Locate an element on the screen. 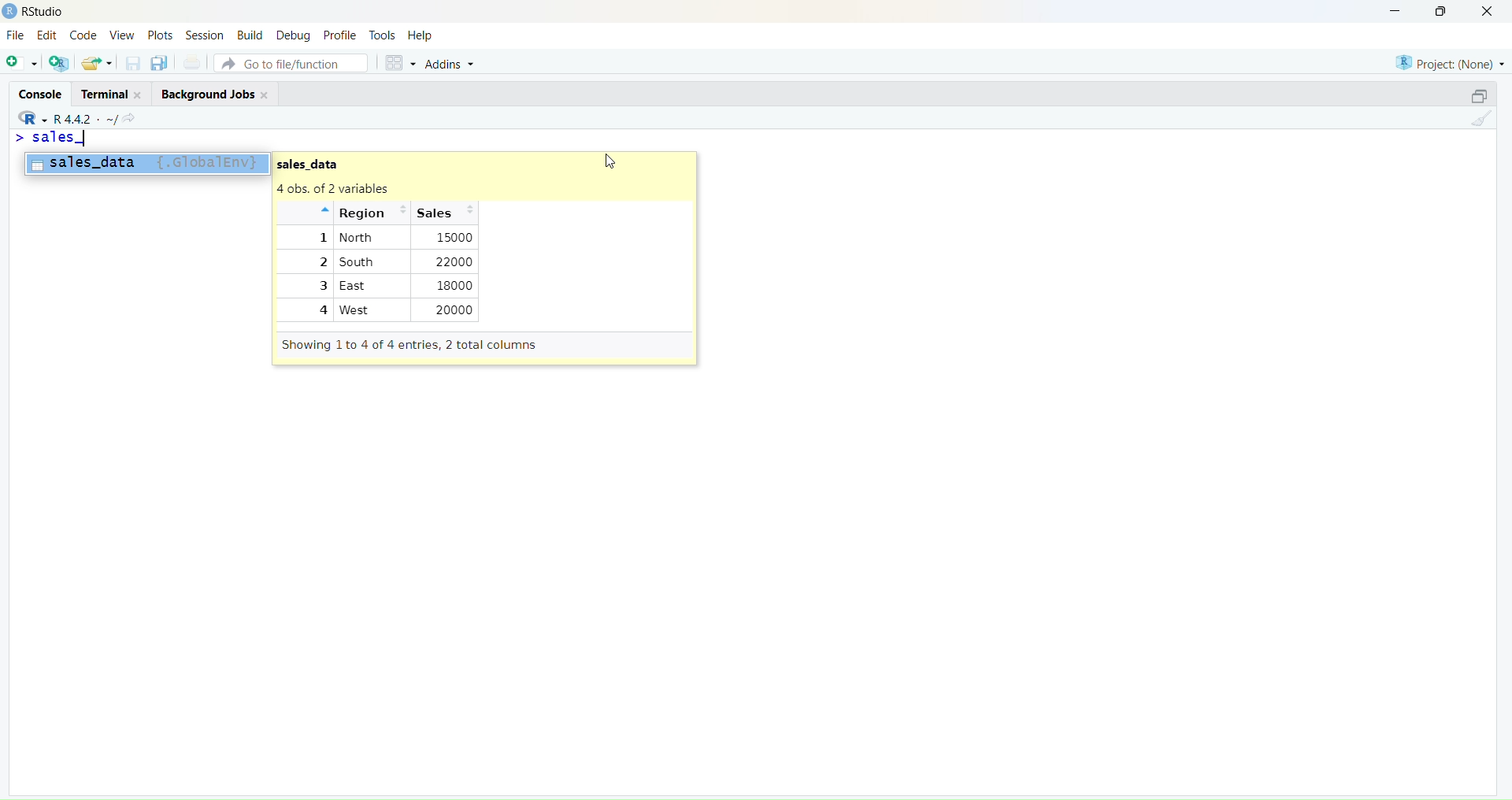 The height and width of the screenshot is (800, 1512). add multiple scripts is located at coordinates (60, 65).